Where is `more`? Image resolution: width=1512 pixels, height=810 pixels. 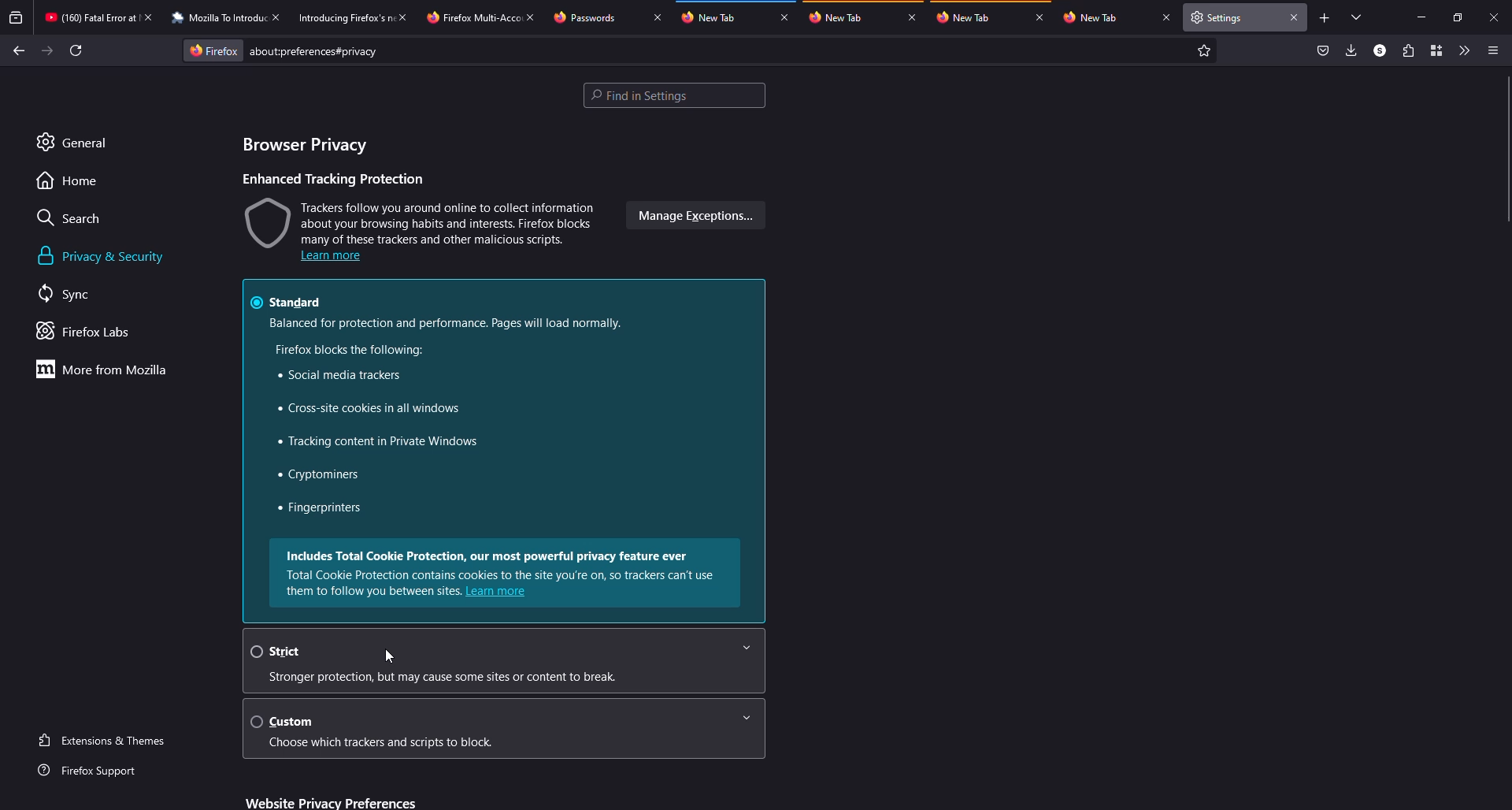 more is located at coordinates (106, 369).